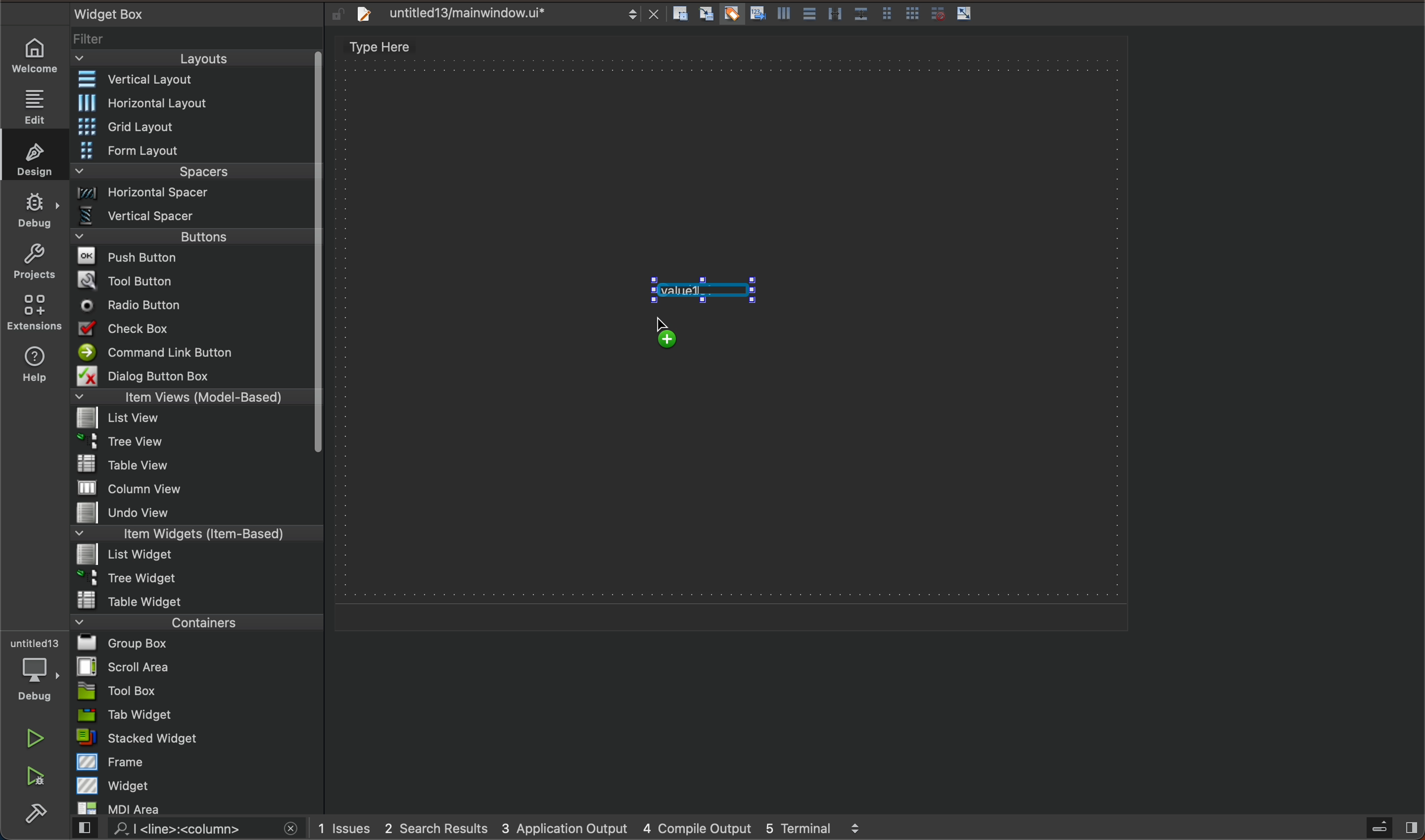  Describe the element at coordinates (36, 209) in the screenshot. I see `debug` at that location.